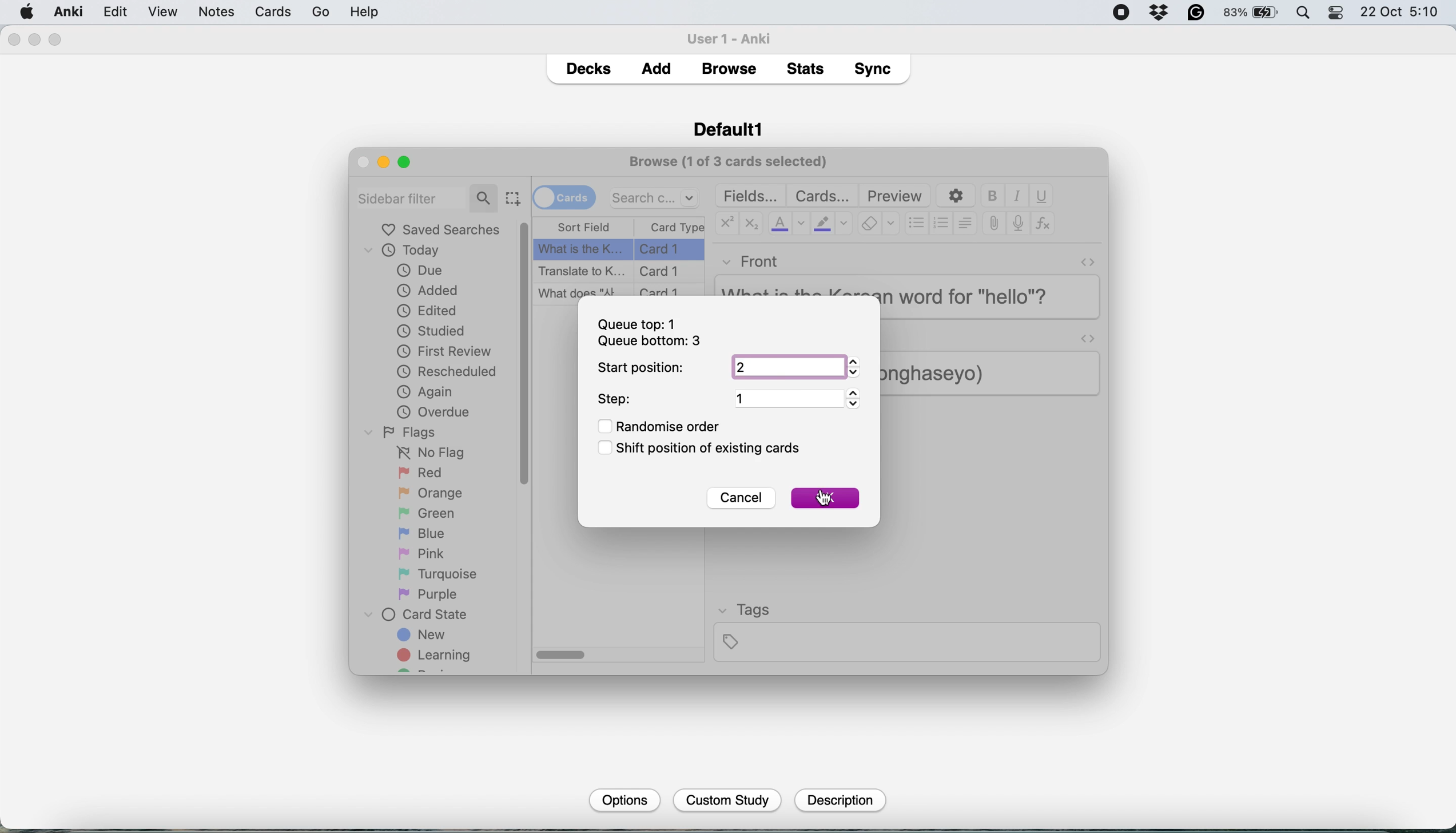 This screenshot has height=833, width=1456. What do you see at coordinates (965, 223) in the screenshot?
I see `justify` at bounding box center [965, 223].